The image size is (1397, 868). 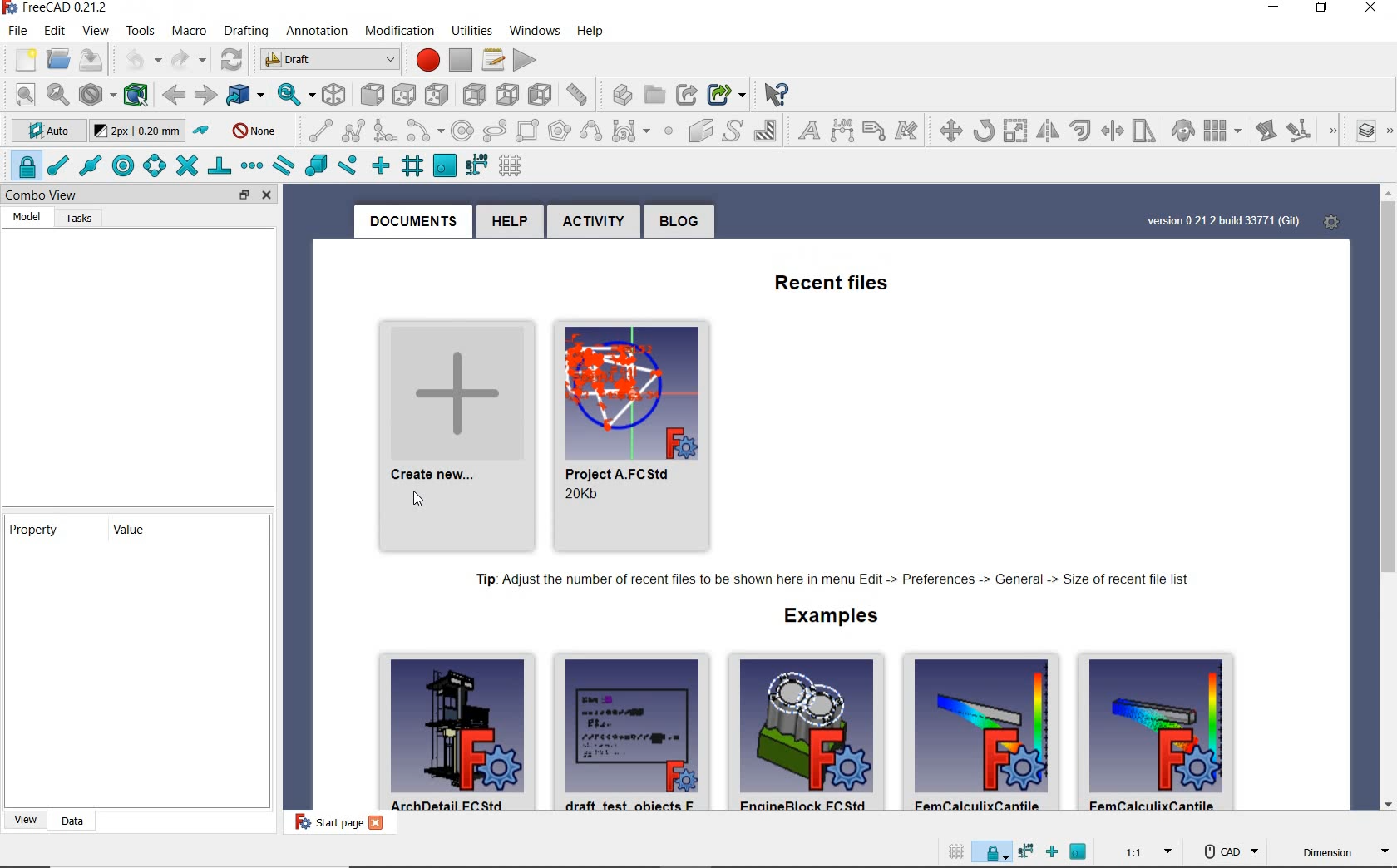 I want to click on offset, so click(x=1079, y=130).